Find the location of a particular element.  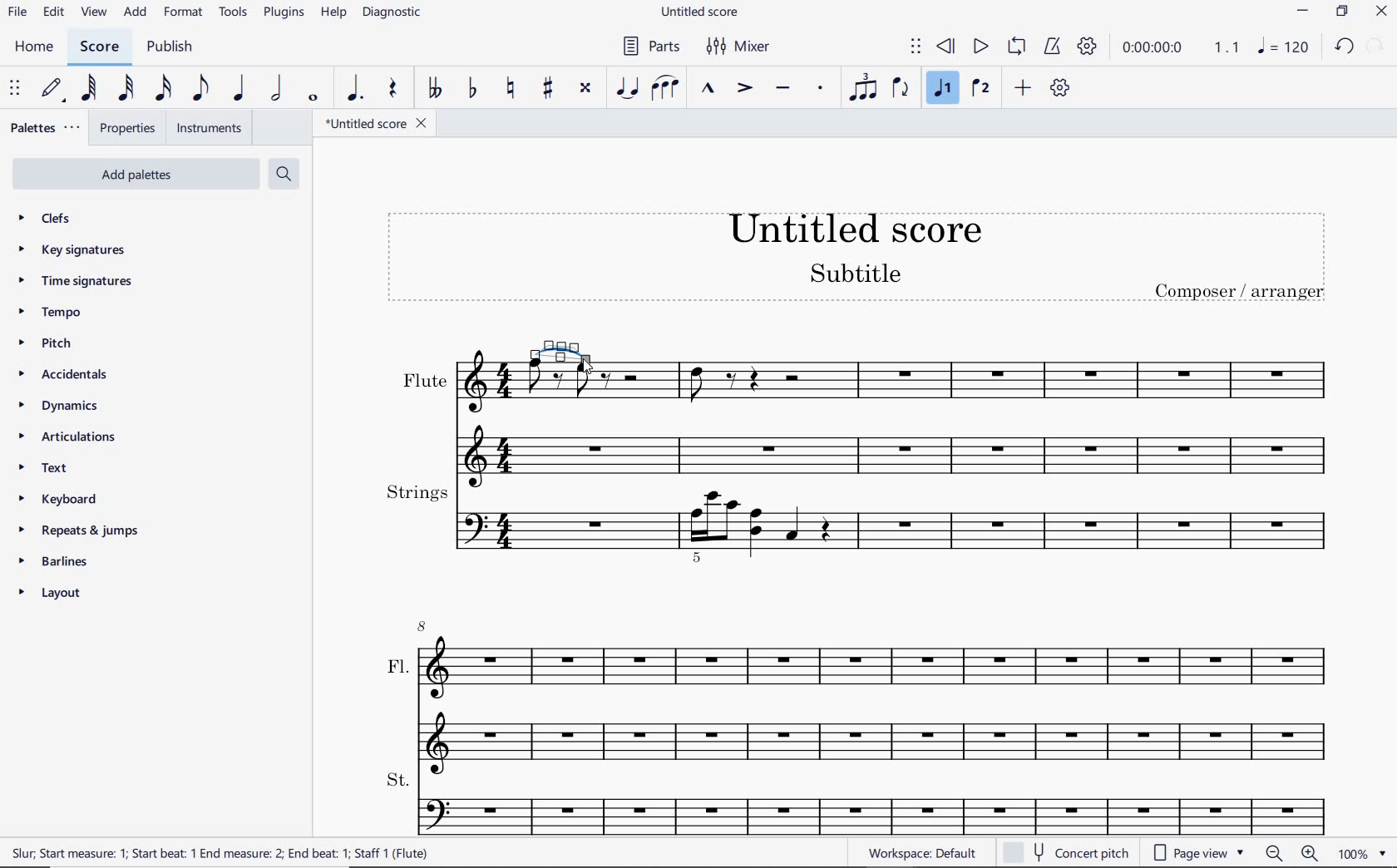

REST is located at coordinates (393, 89).